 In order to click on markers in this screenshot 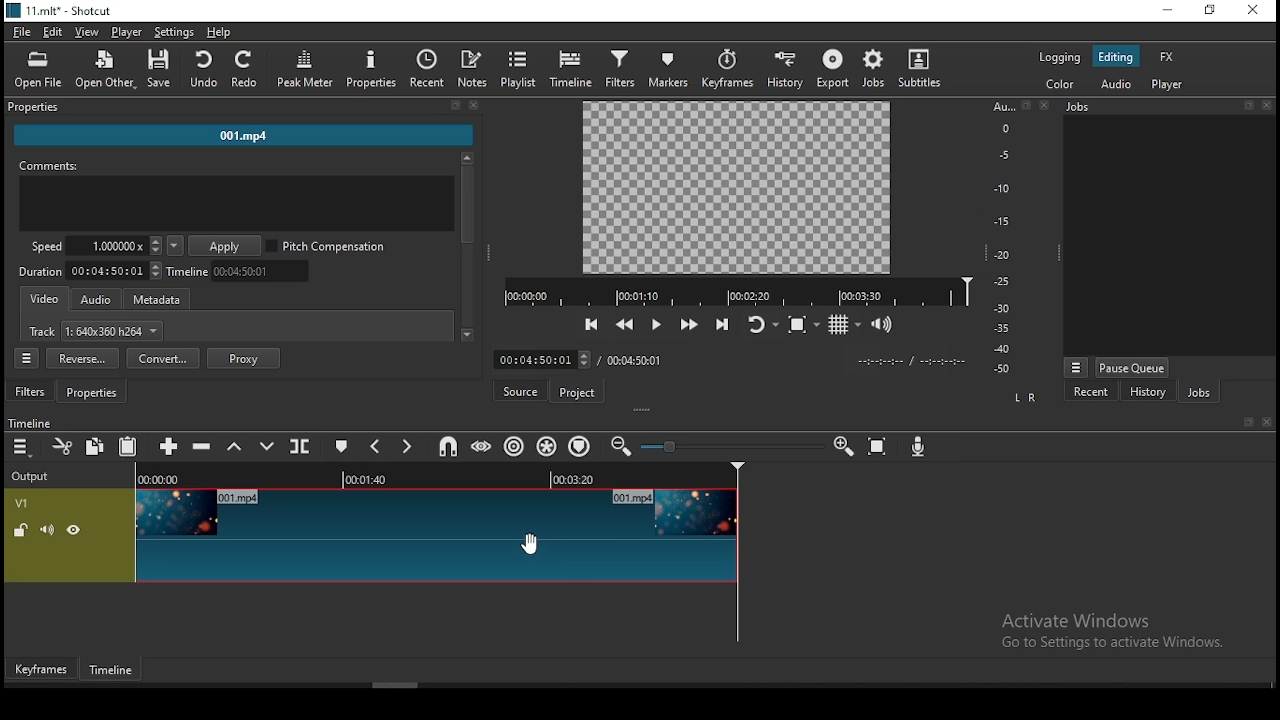, I will do `click(671, 71)`.